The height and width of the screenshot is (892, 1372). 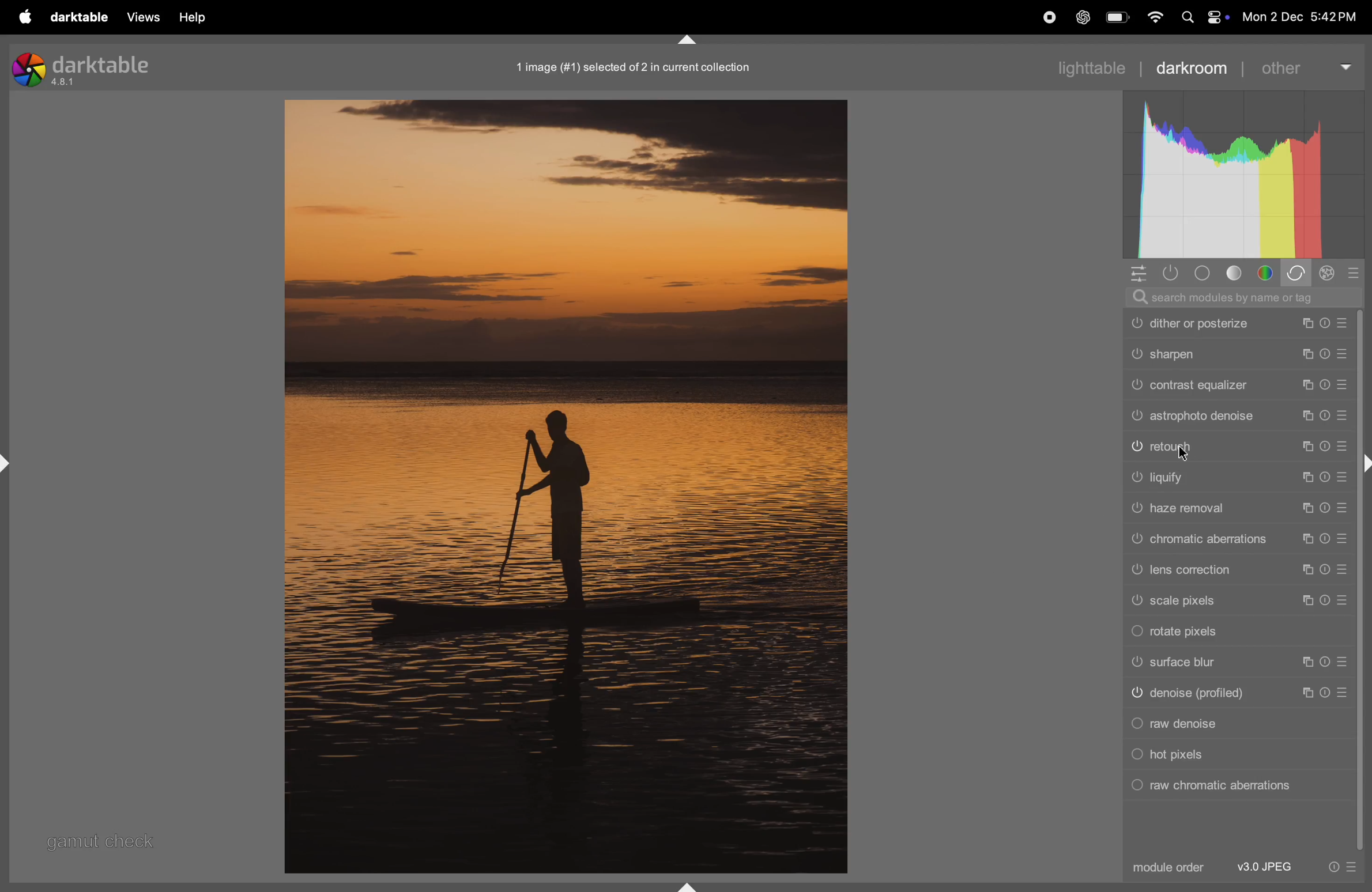 I want to click on astrophoto denoise, so click(x=1144, y=417).